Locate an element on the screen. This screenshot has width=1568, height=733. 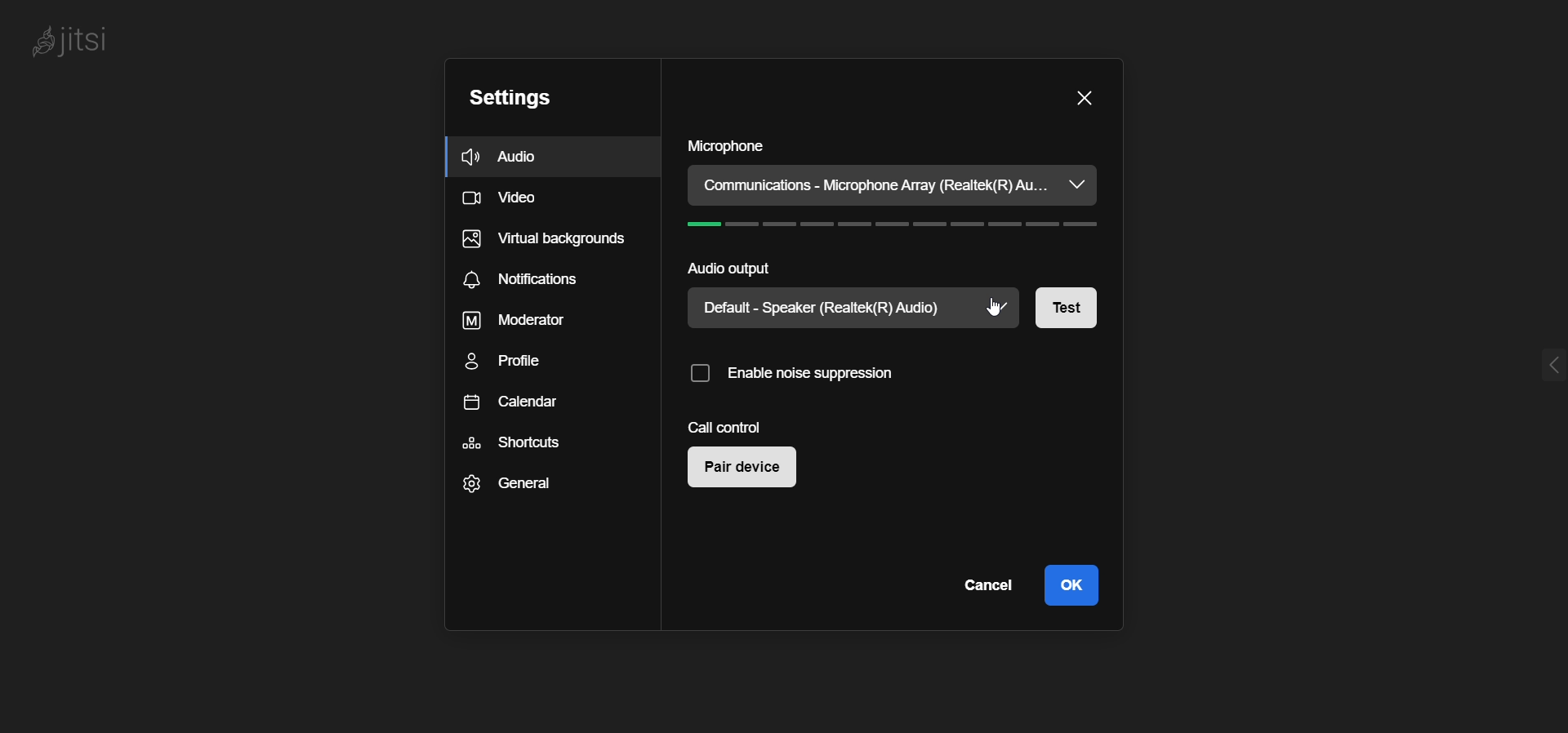
virtual backgrounds is located at coordinates (543, 243).